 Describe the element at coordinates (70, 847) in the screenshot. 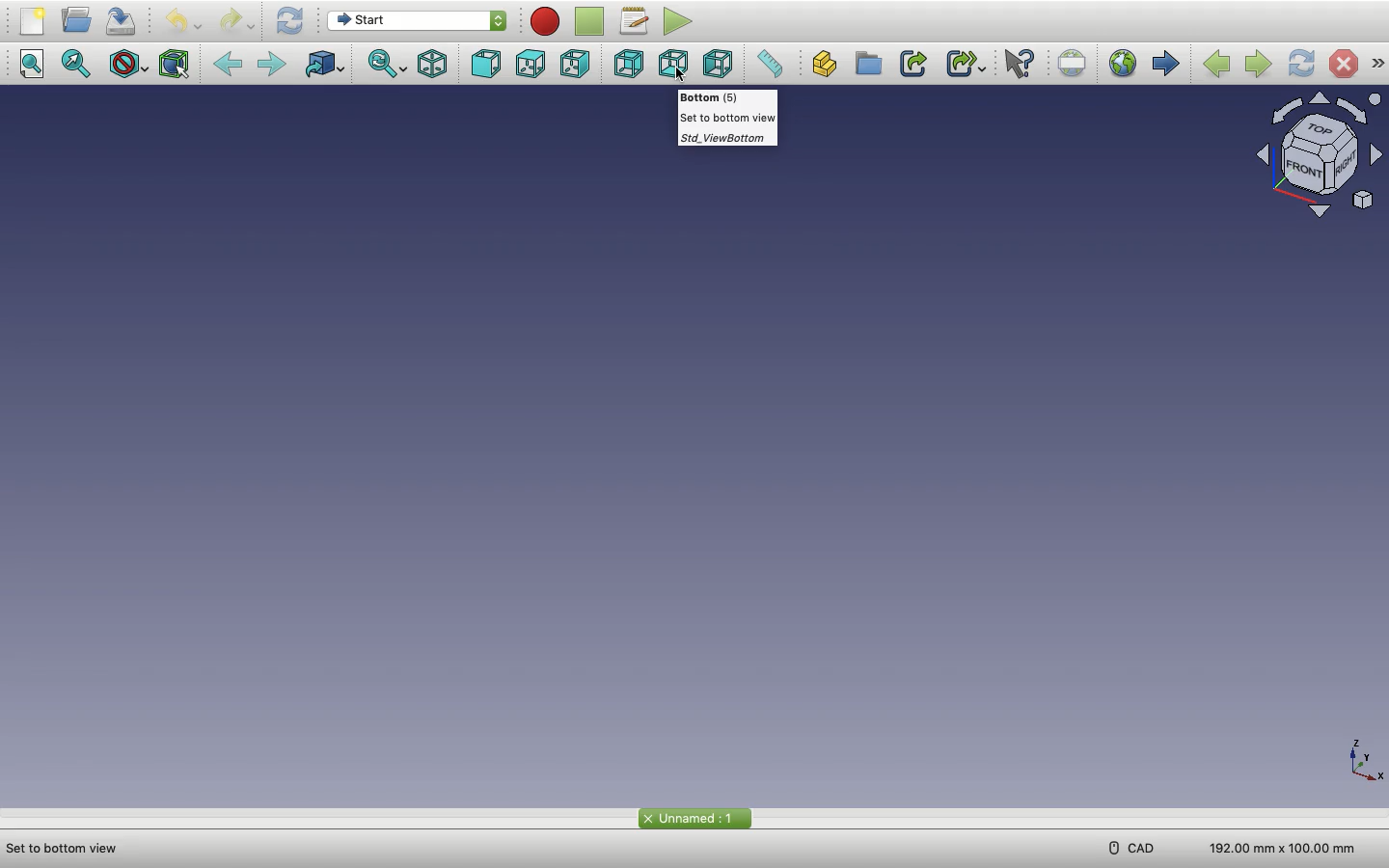

I see `Address` at that location.